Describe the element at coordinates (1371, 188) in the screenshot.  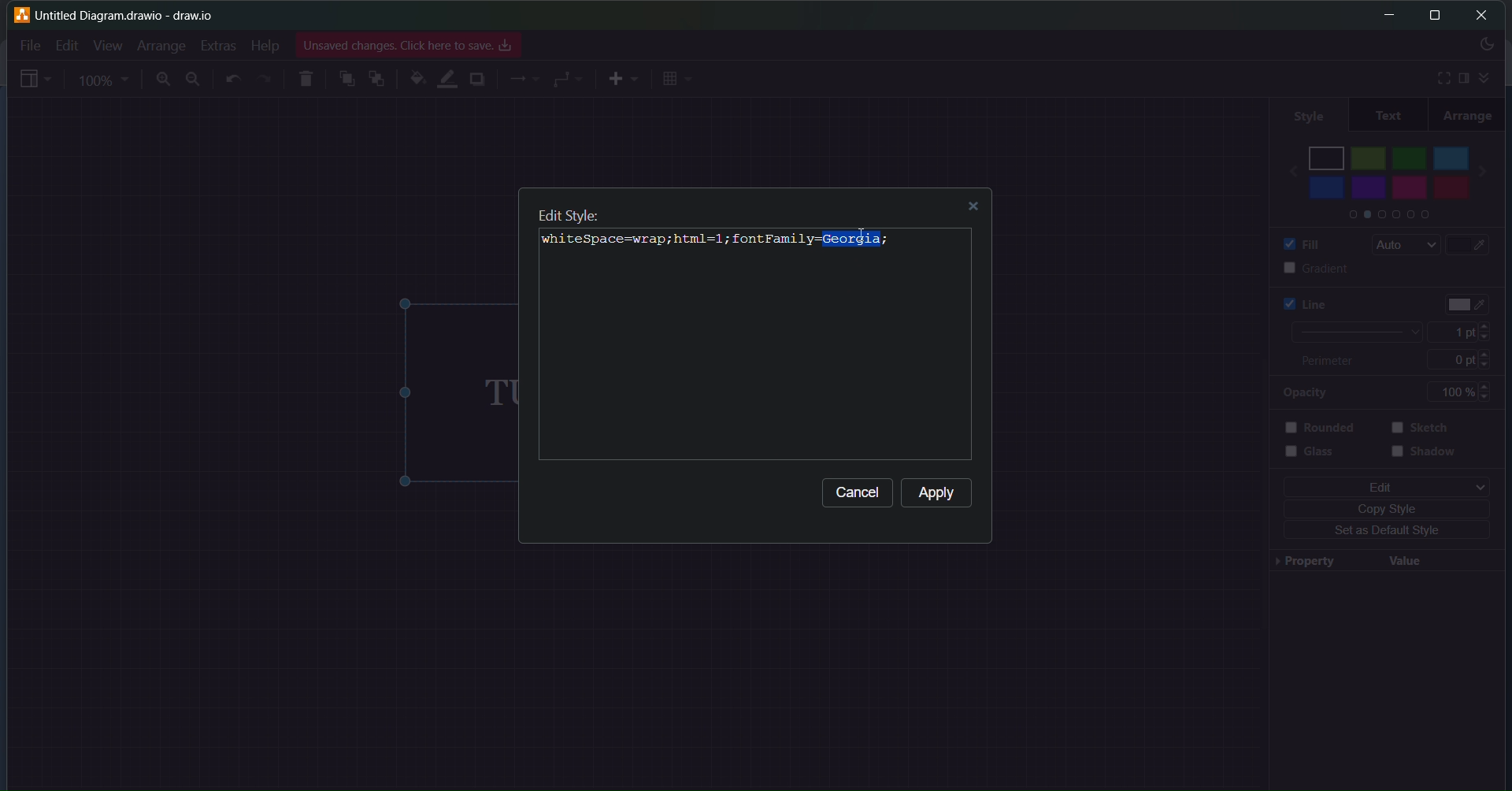
I see `purple` at that location.